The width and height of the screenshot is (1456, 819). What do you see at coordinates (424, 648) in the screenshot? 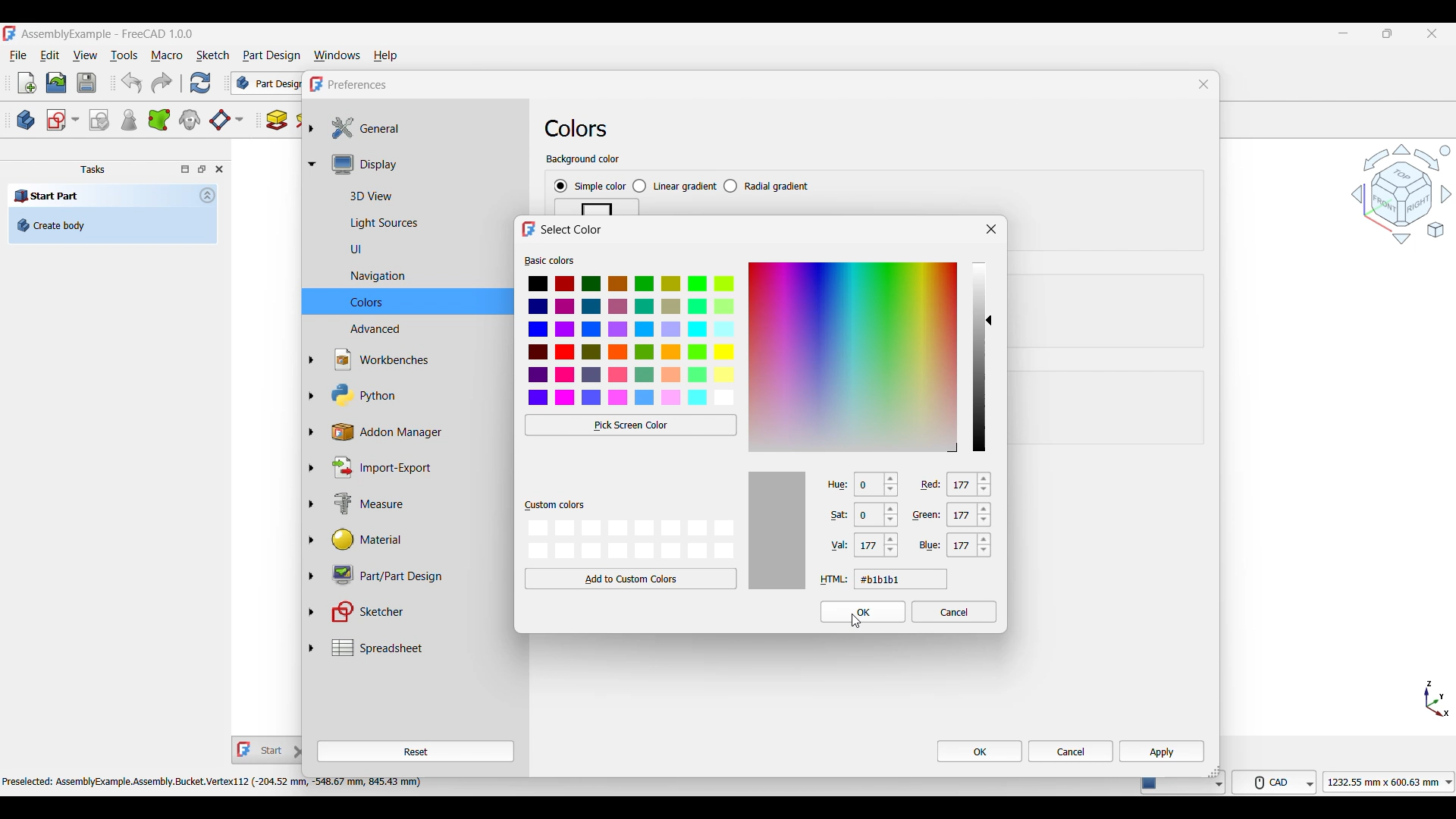
I see `Spreadsheet` at bounding box center [424, 648].